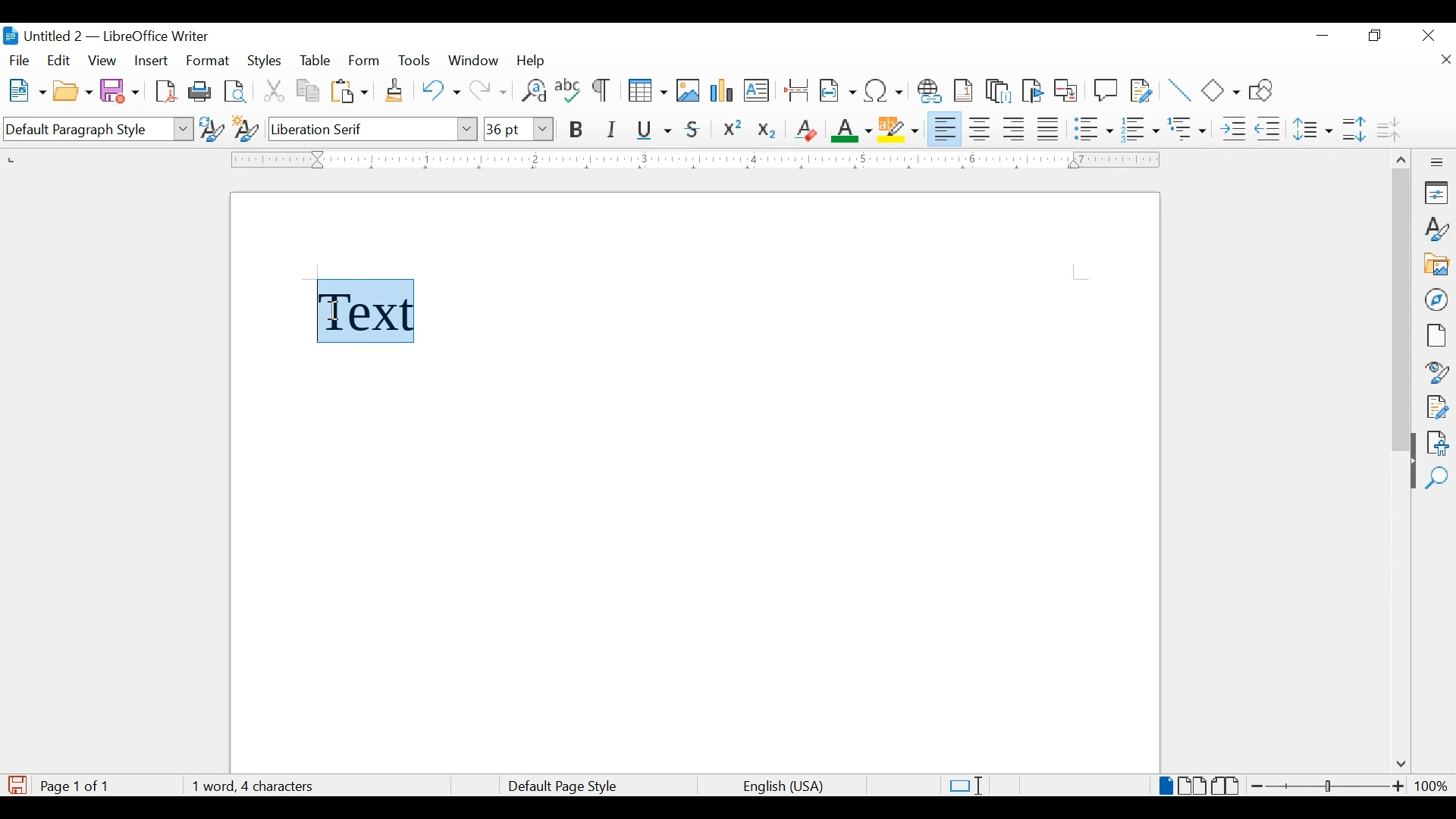  I want to click on zoom slider, so click(1329, 786).